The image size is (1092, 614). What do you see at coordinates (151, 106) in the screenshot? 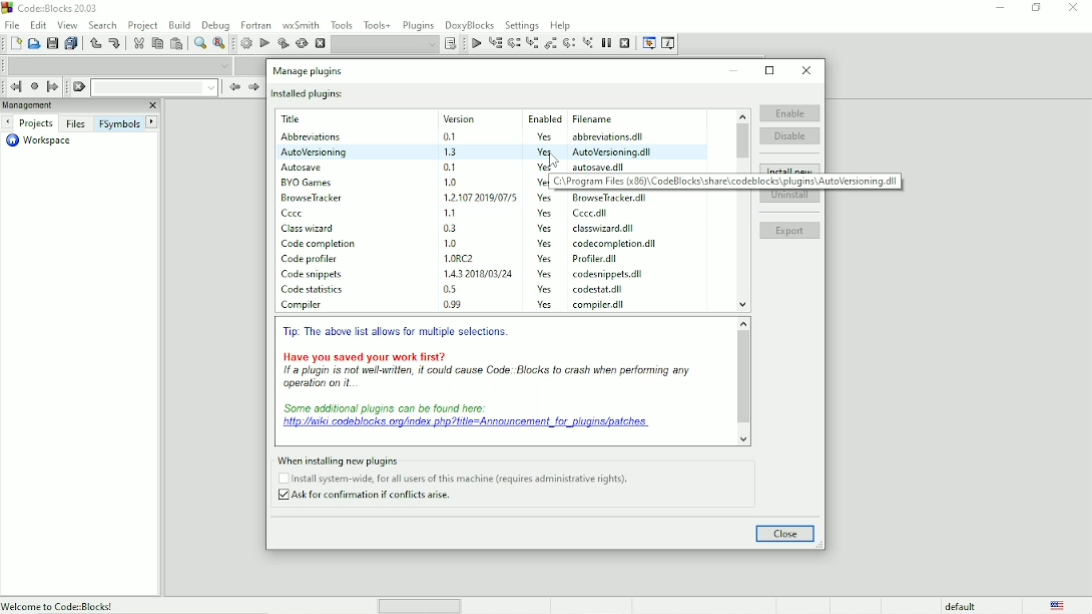
I see `Close` at bounding box center [151, 106].